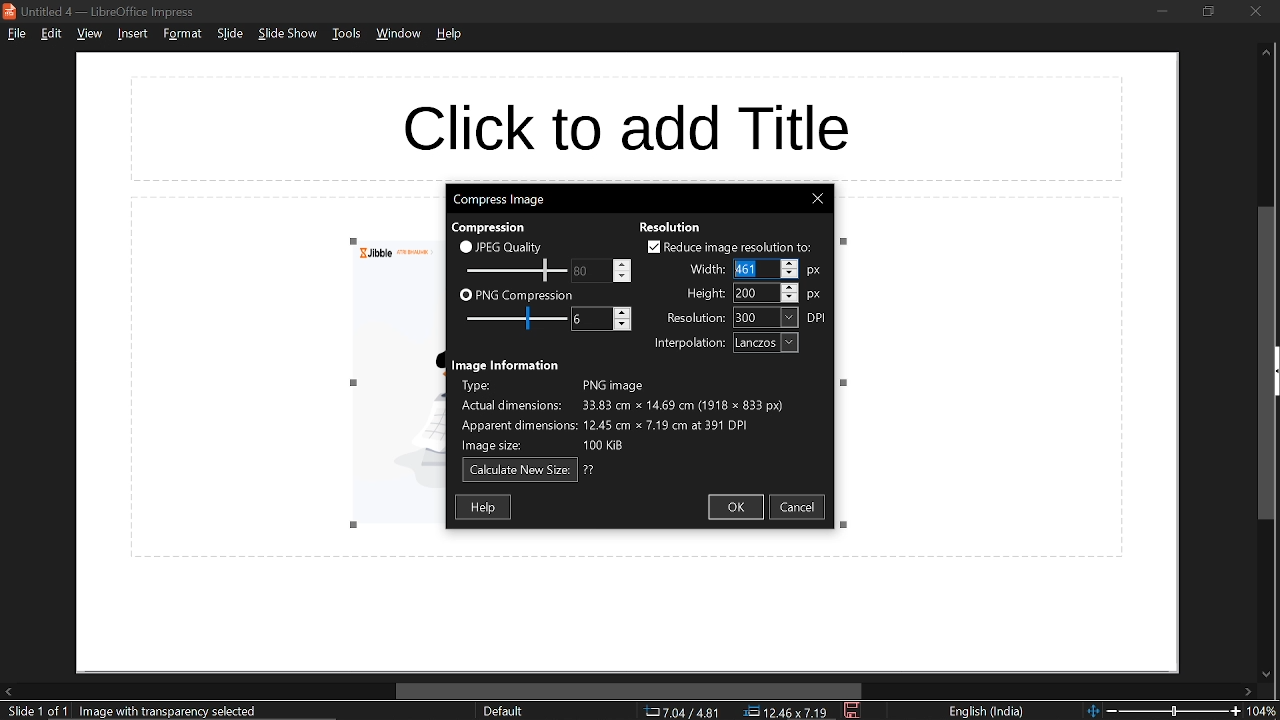 The width and height of the screenshot is (1280, 720). I want to click on insert, so click(134, 34).